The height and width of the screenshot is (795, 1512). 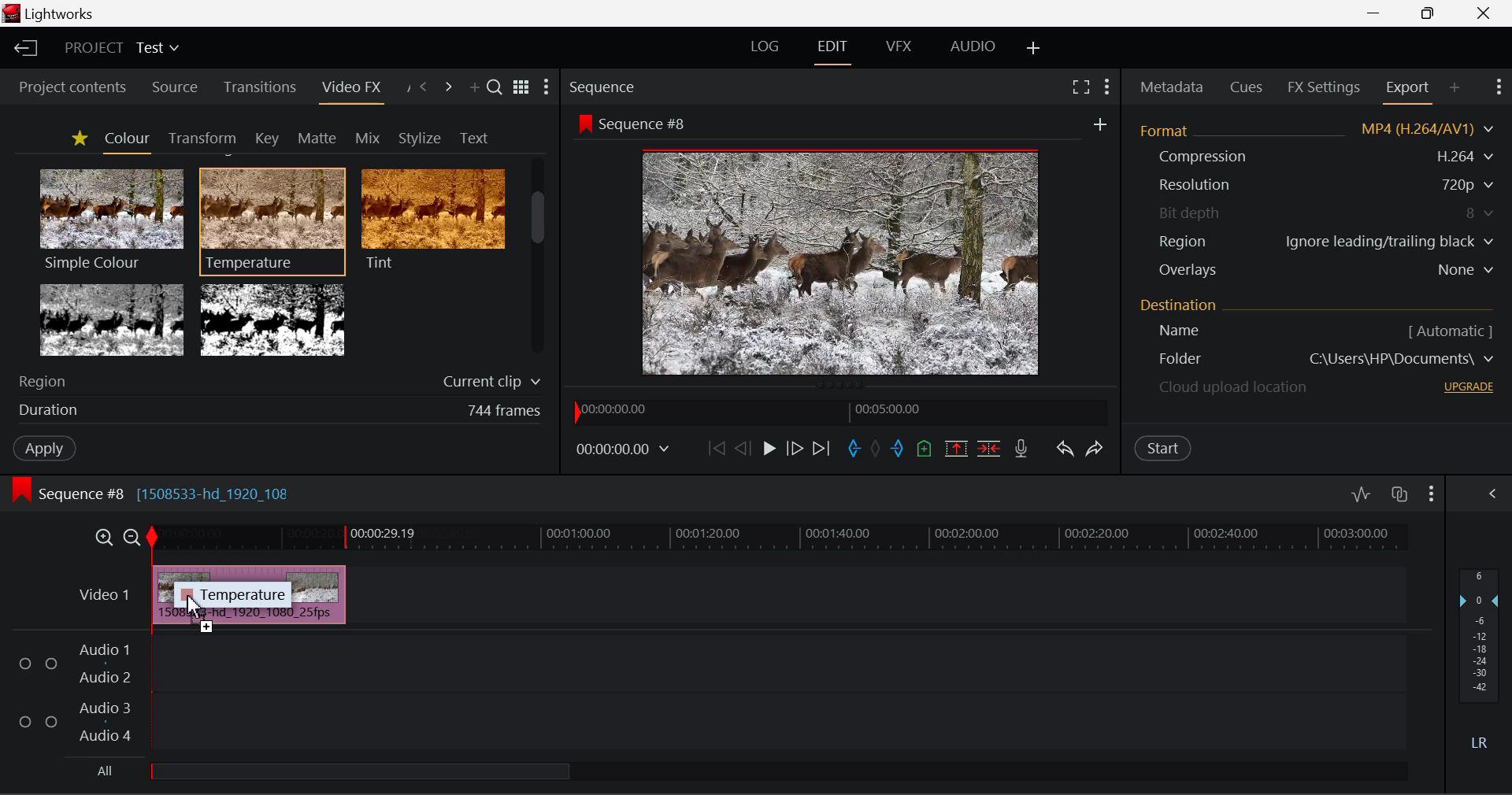 What do you see at coordinates (361, 770) in the screenshot?
I see `all Audio` at bounding box center [361, 770].